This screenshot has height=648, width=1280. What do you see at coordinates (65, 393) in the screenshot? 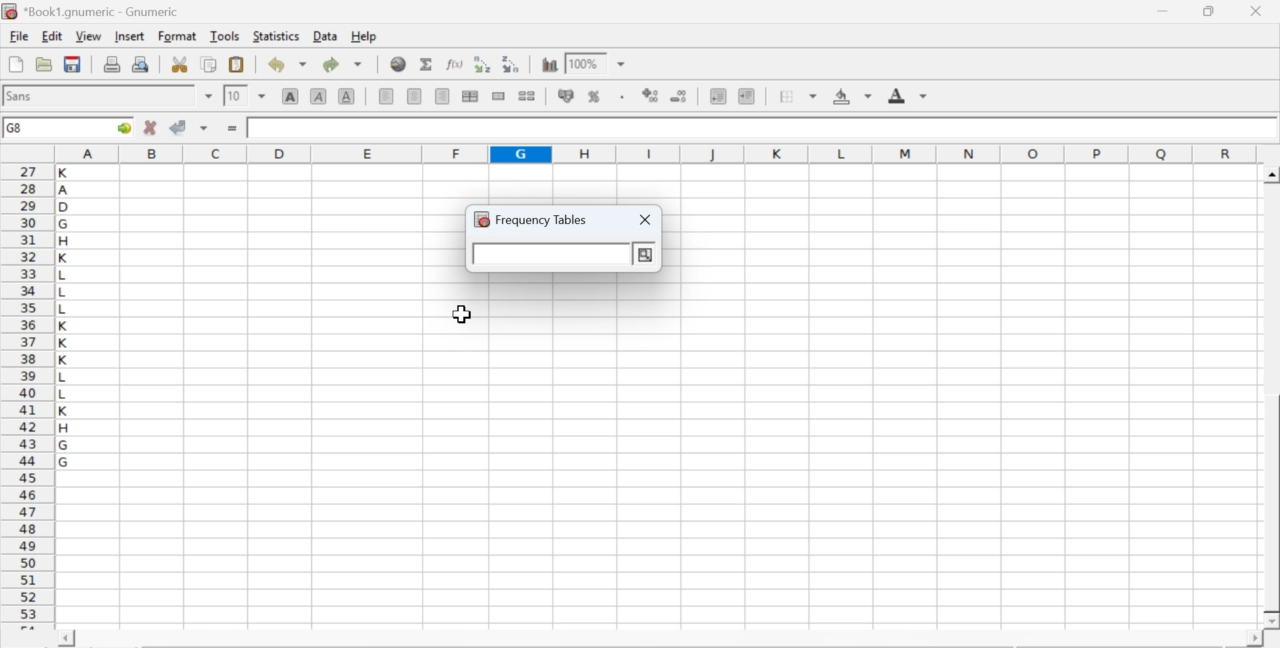
I see `alphabets` at bounding box center [65, 393].